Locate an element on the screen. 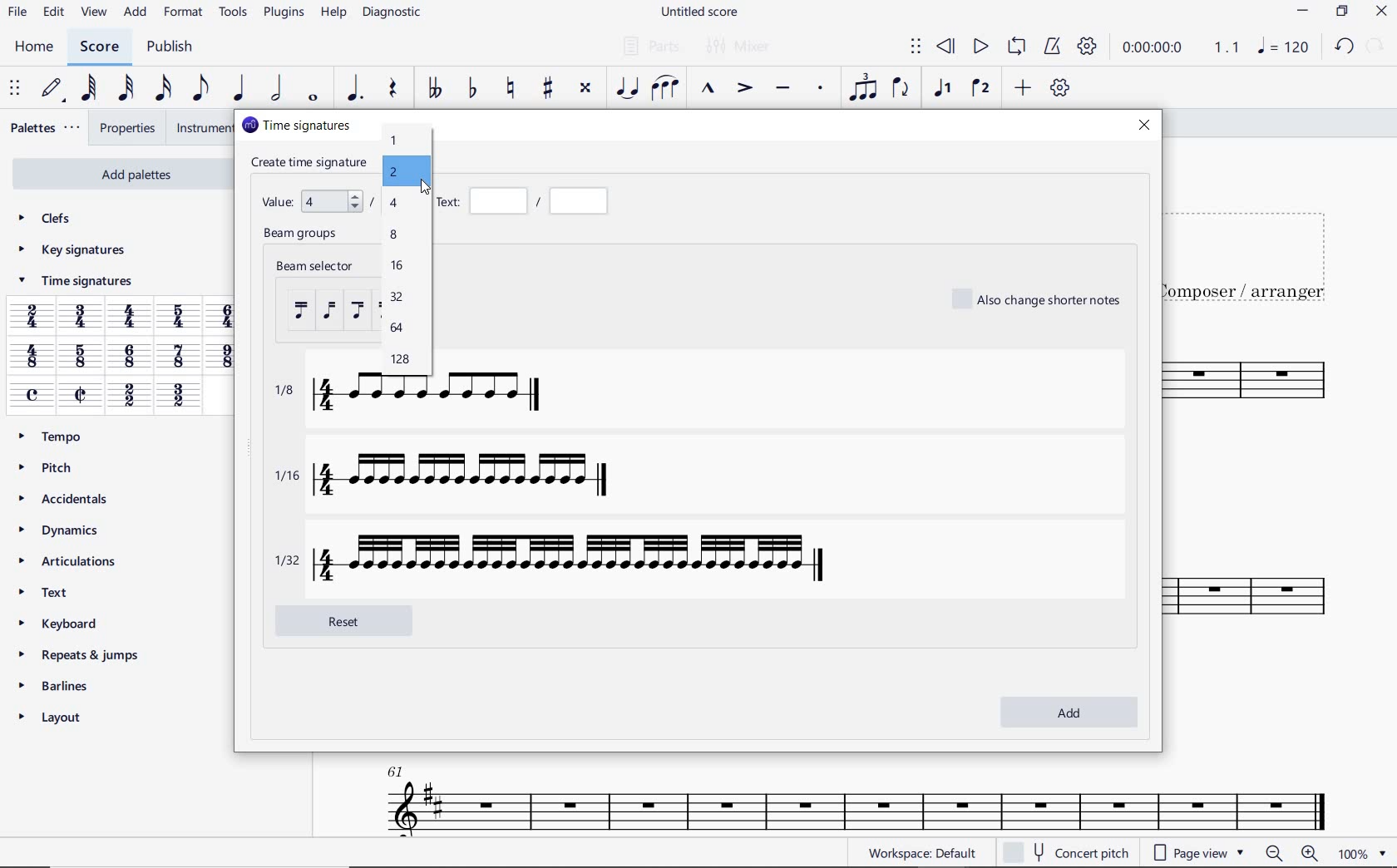  16TH NOTE is located at coordinates (160, 89).